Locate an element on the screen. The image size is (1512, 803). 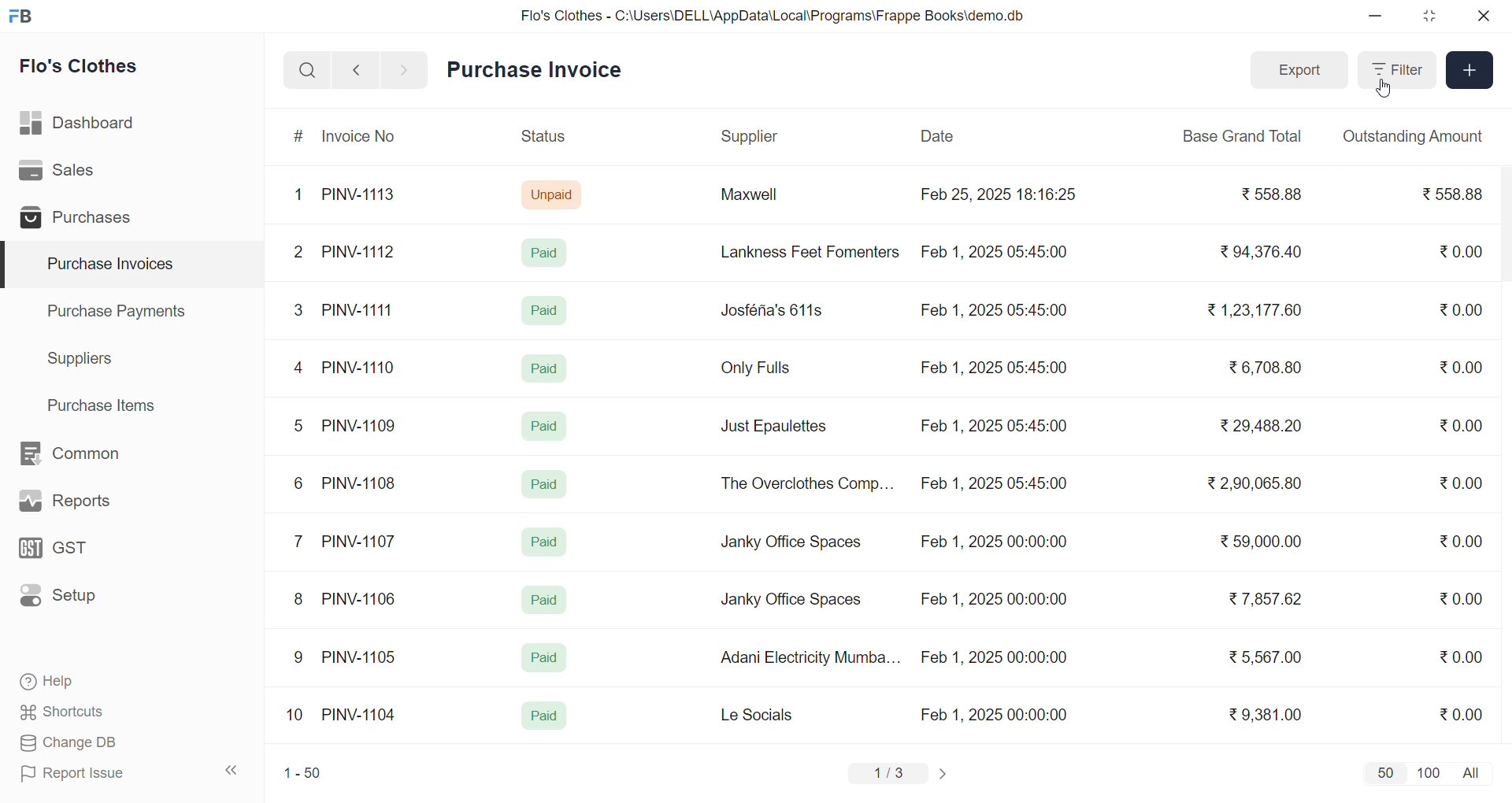
₹0.00 is located at coordinates (1458, 253).